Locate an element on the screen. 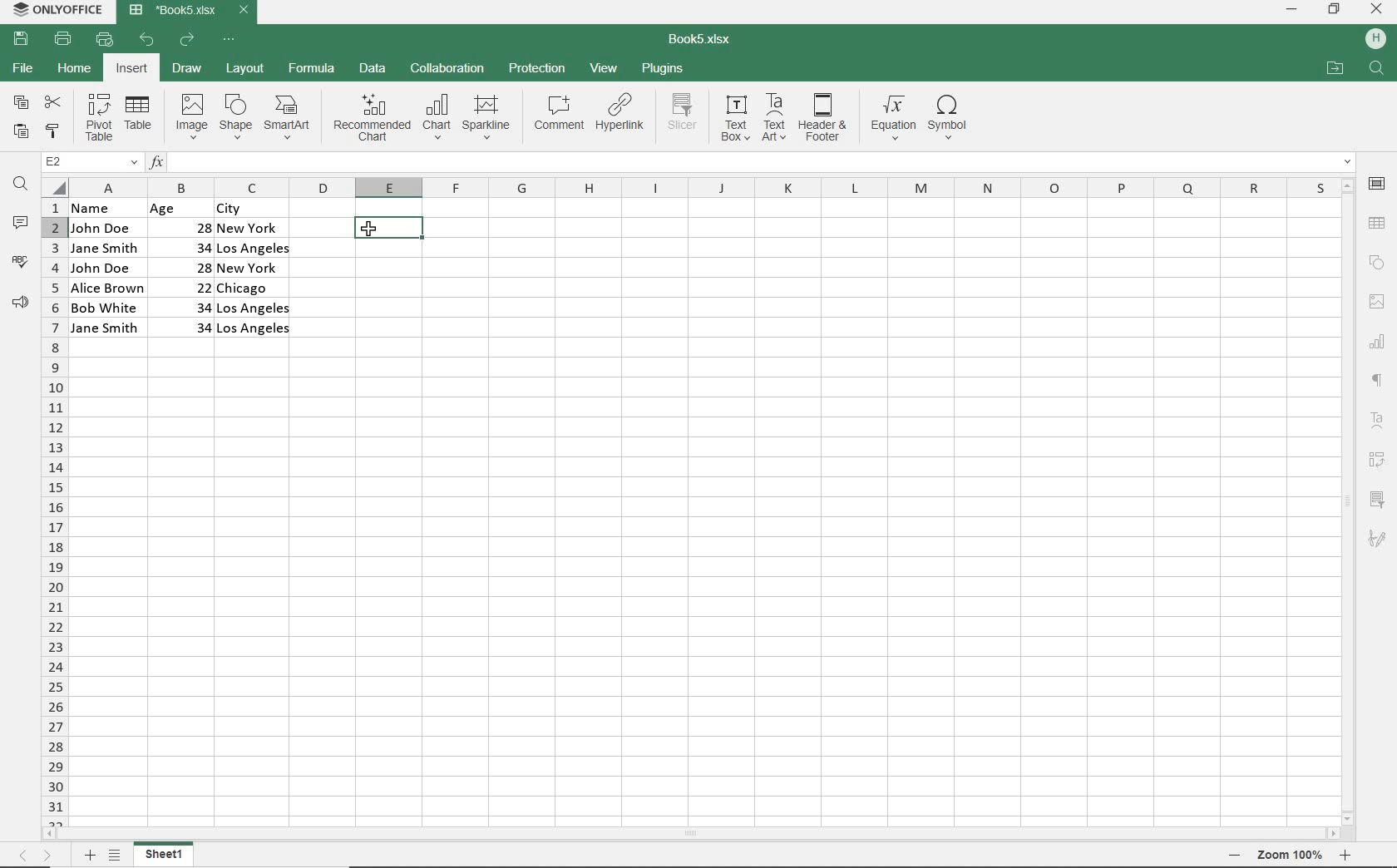  FORMULA is located at coordinates (310, 68).